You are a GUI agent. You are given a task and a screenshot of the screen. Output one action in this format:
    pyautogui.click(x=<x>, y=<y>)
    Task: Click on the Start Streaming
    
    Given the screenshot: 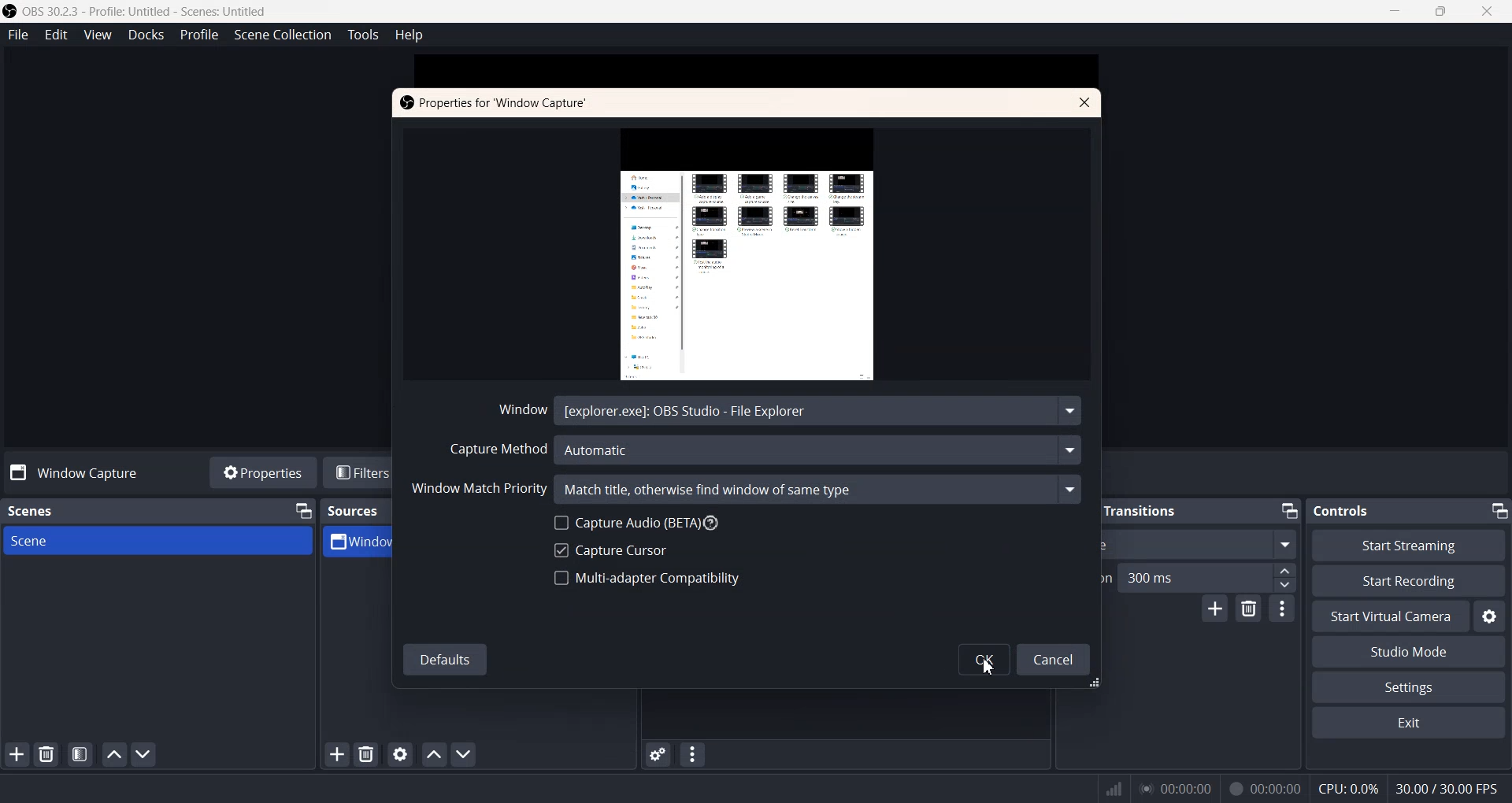 What is the action you would take?
    pyautogui.click(x=1410, y=546)
    